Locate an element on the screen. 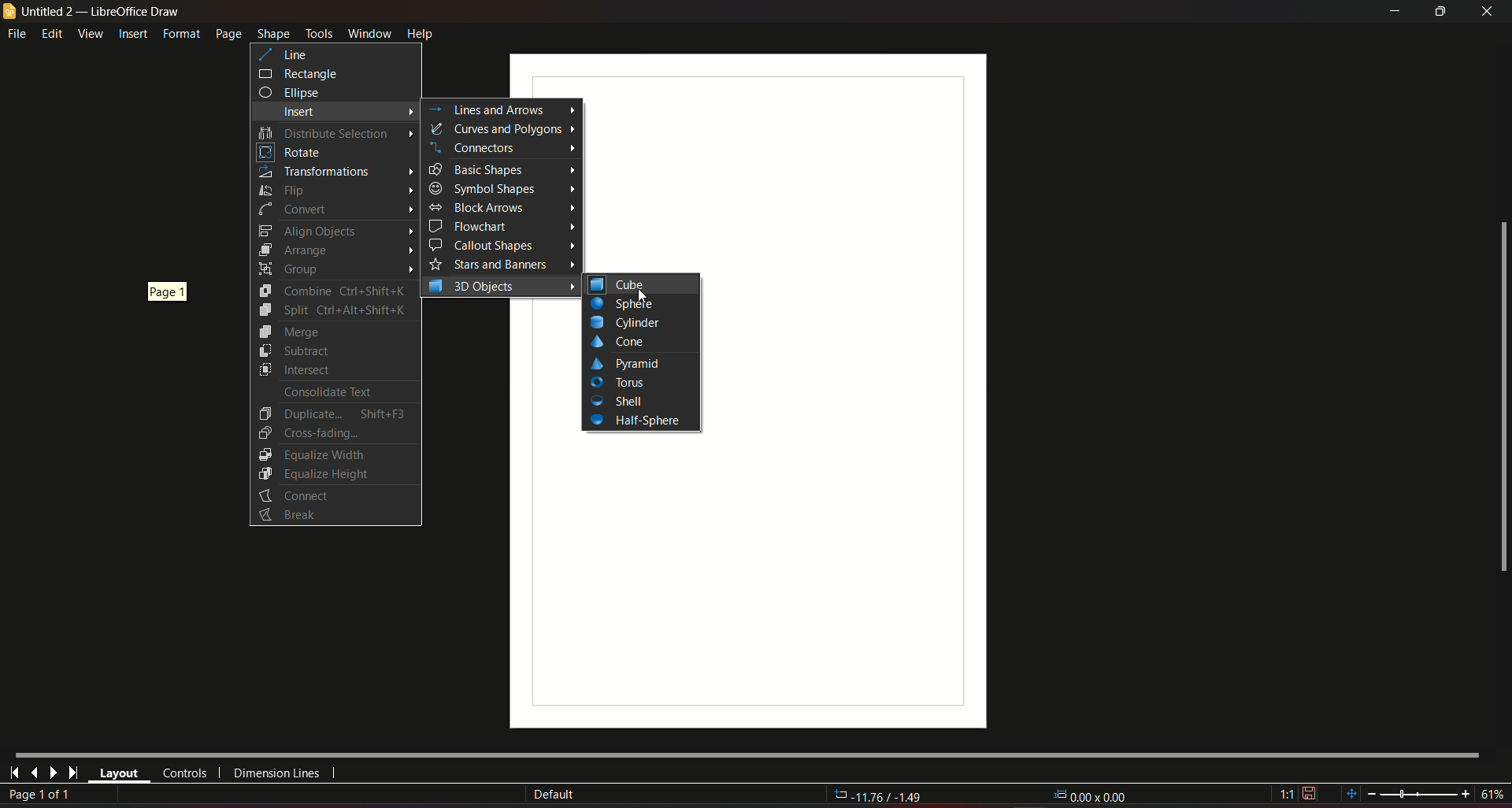 The height and width of the screenshot is (808, 1512). Subtract is located at coordinates (295, 350).